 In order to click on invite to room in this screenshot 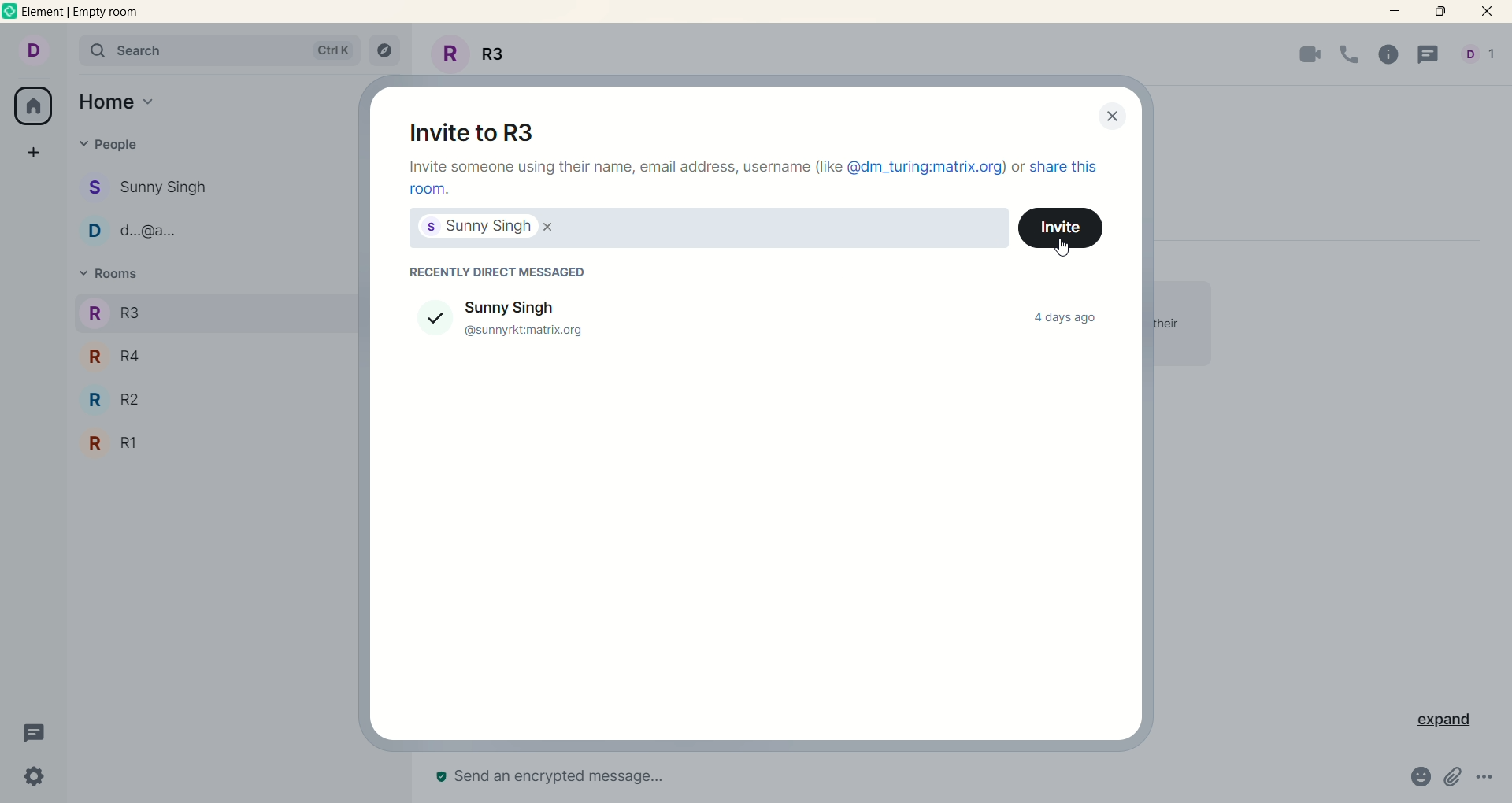, I will do `click(467, 128)`.